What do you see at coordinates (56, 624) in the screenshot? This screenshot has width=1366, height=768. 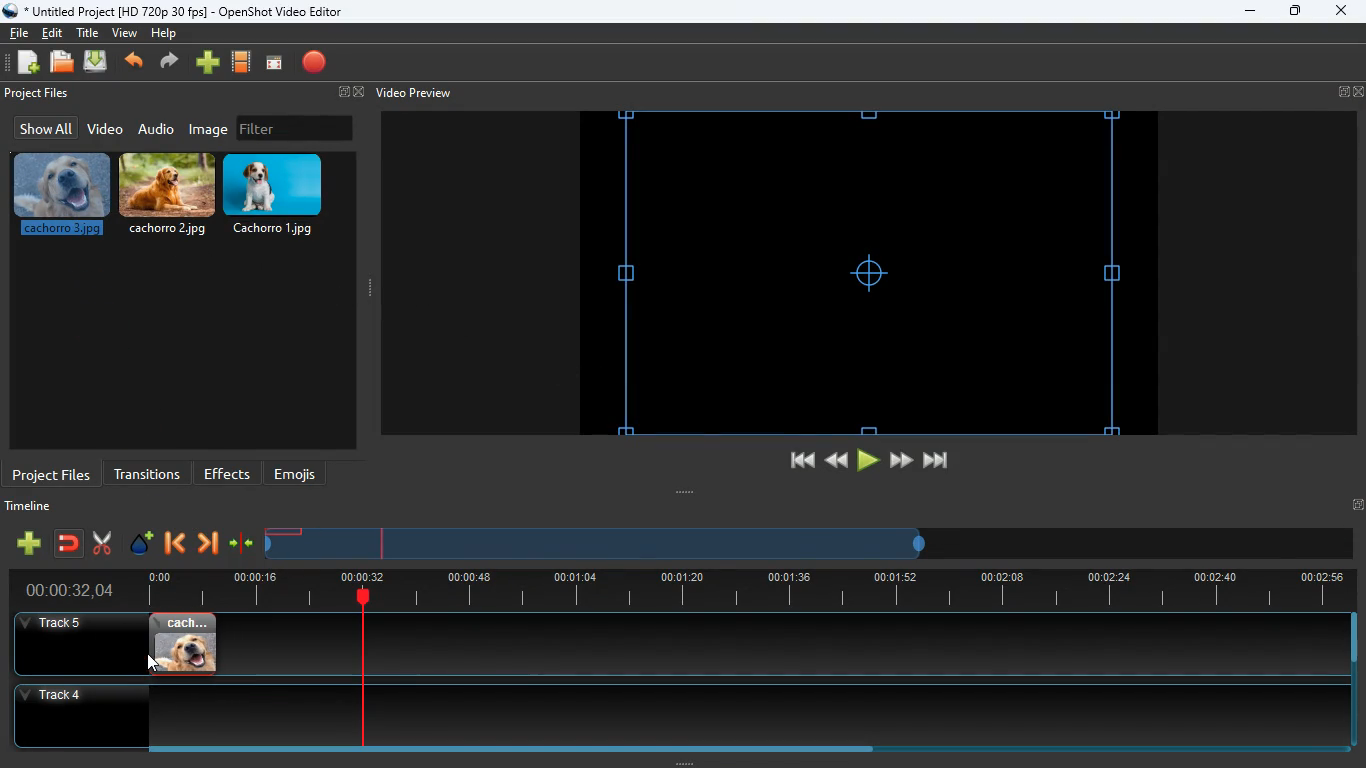 I see `track 5` at bounding box center [56, 624].